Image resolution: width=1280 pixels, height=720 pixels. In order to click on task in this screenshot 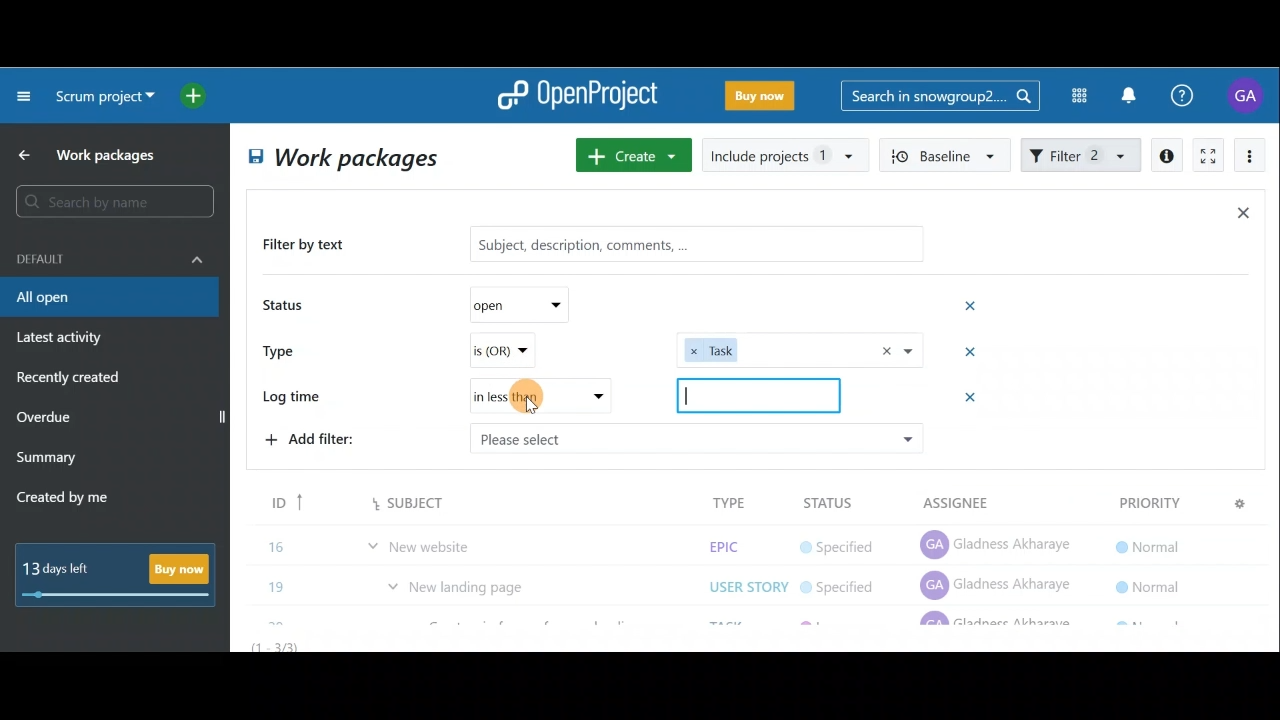, I will do `click(800, 349)`.